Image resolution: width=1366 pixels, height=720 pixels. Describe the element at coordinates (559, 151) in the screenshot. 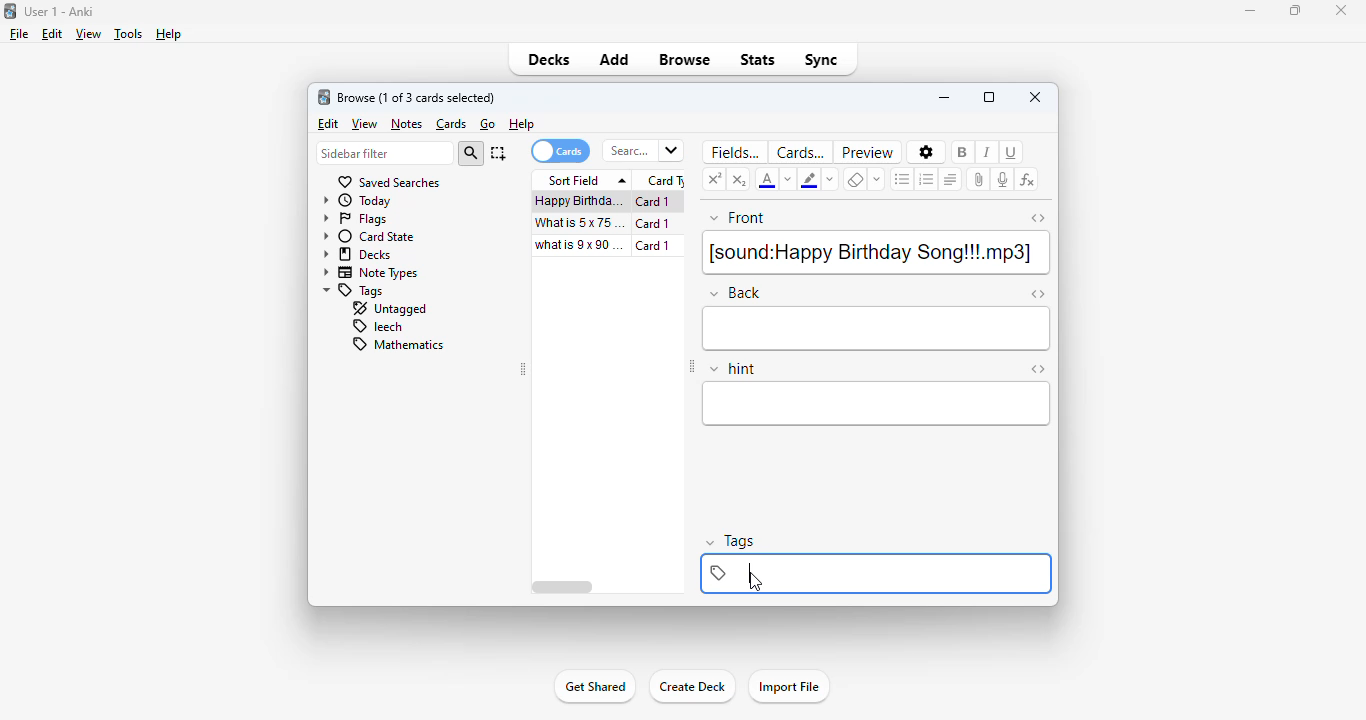

I see `cards` at that location.